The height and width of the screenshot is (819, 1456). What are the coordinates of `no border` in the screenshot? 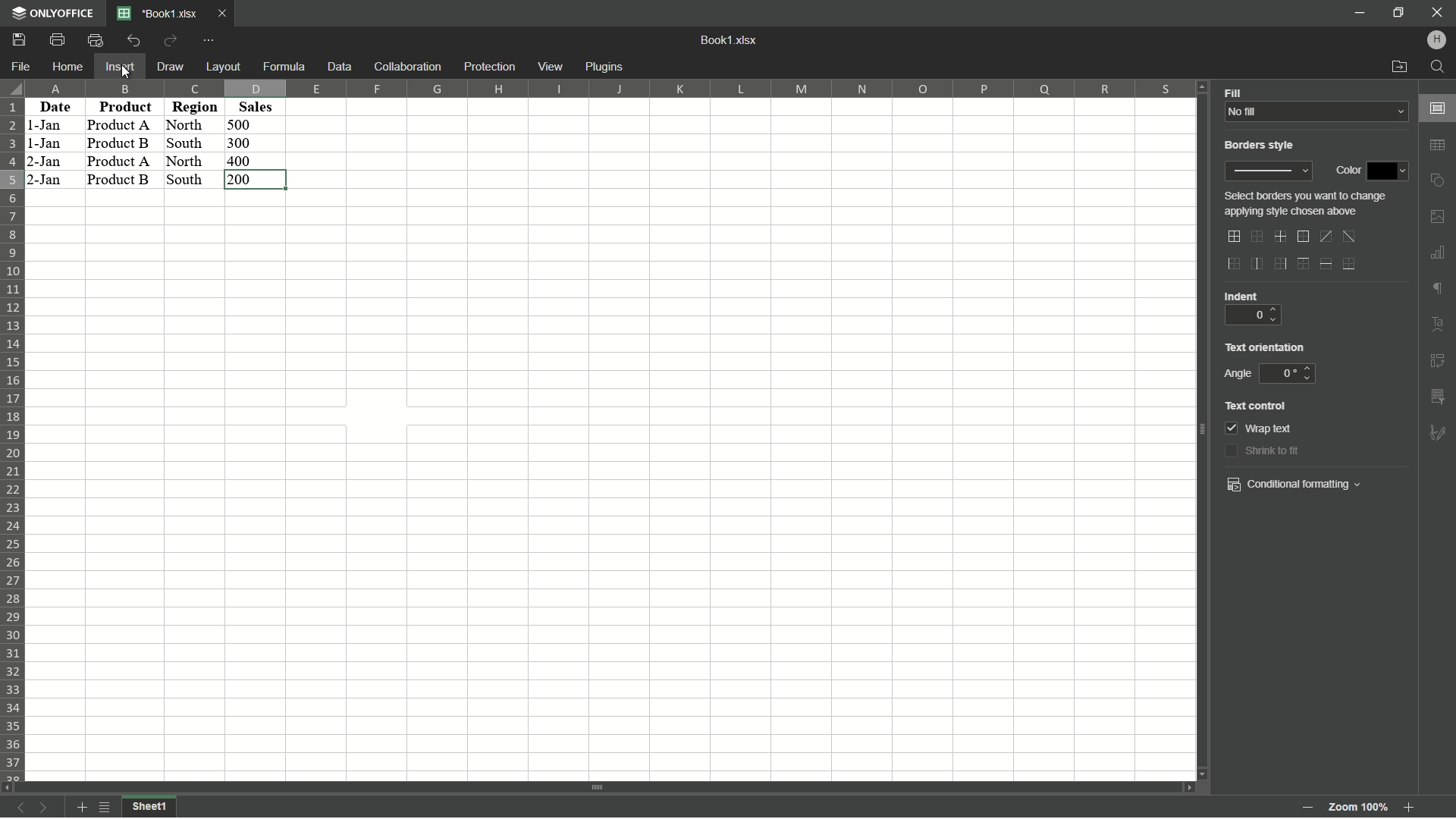 It's located at (1253, 237).